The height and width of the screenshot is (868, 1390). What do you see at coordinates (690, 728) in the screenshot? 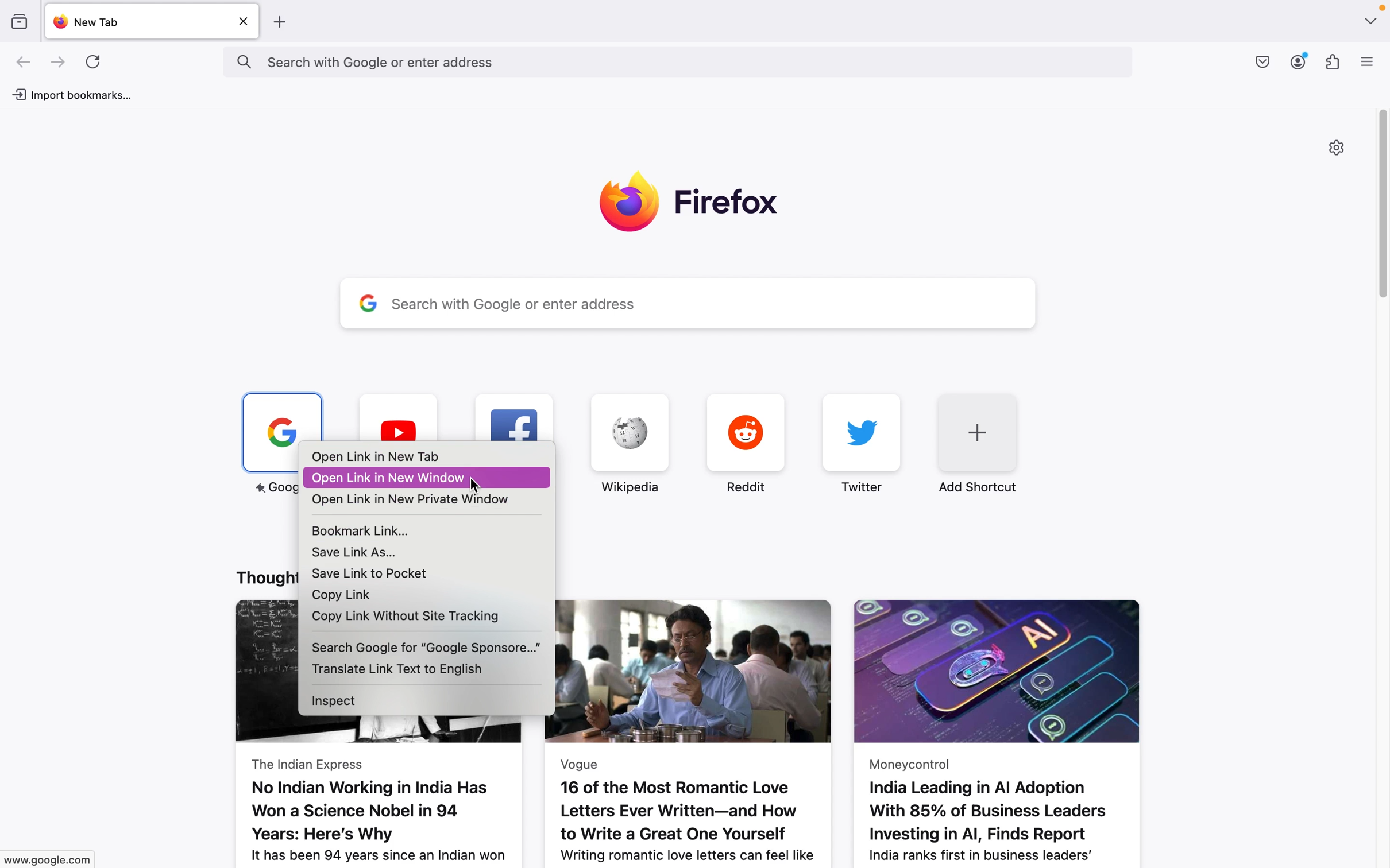
I see `Vogue

16 of the Most Romantic Love
Letters Ever Written—and How
to Write a Great One Yourself` at bounding box center [690, 728].